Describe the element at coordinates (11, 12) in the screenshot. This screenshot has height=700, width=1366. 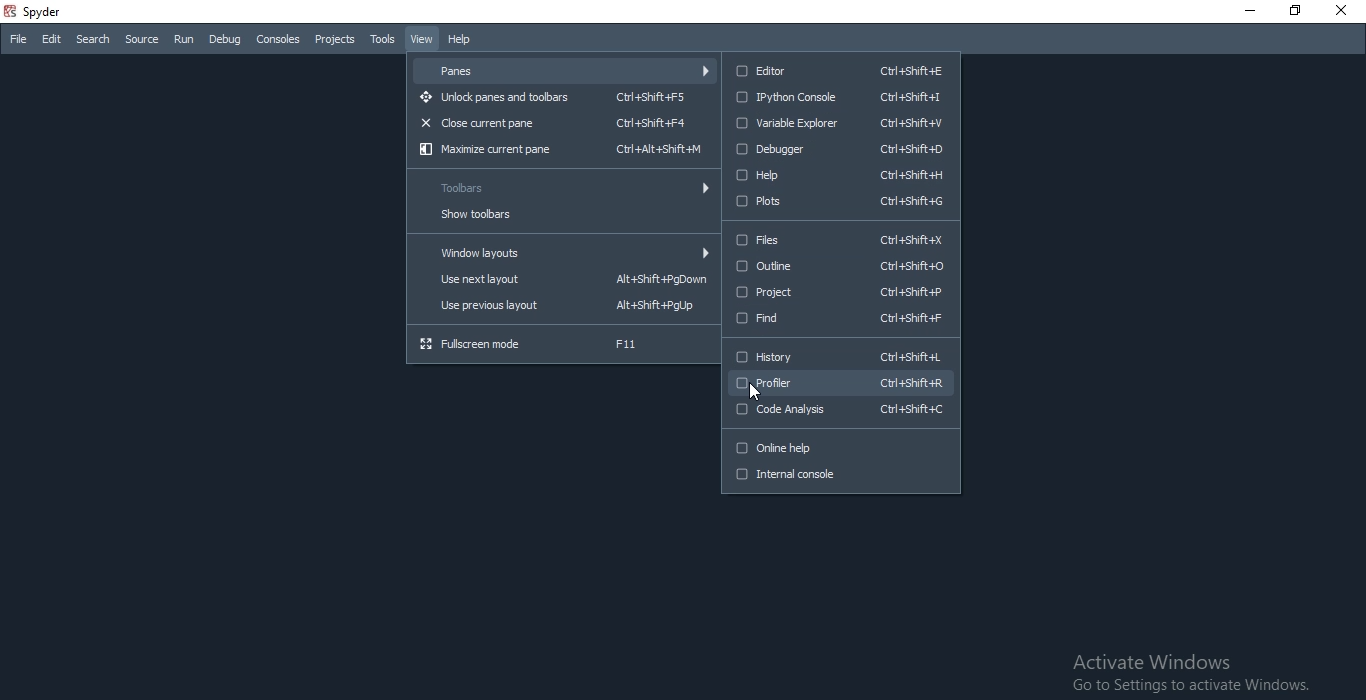
I see `spyder logo` at that location.